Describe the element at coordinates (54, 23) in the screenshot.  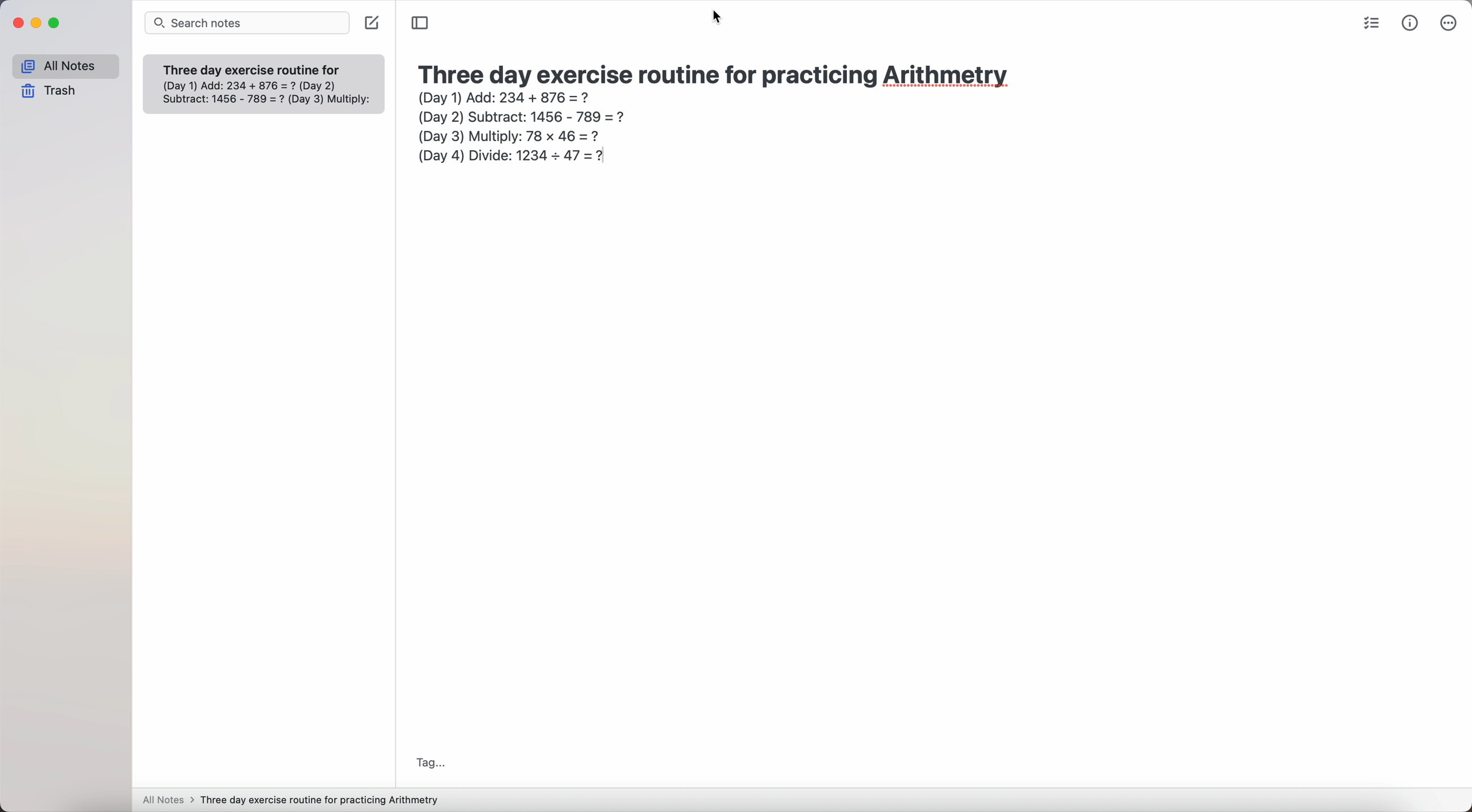
I see `maximize` at that location.